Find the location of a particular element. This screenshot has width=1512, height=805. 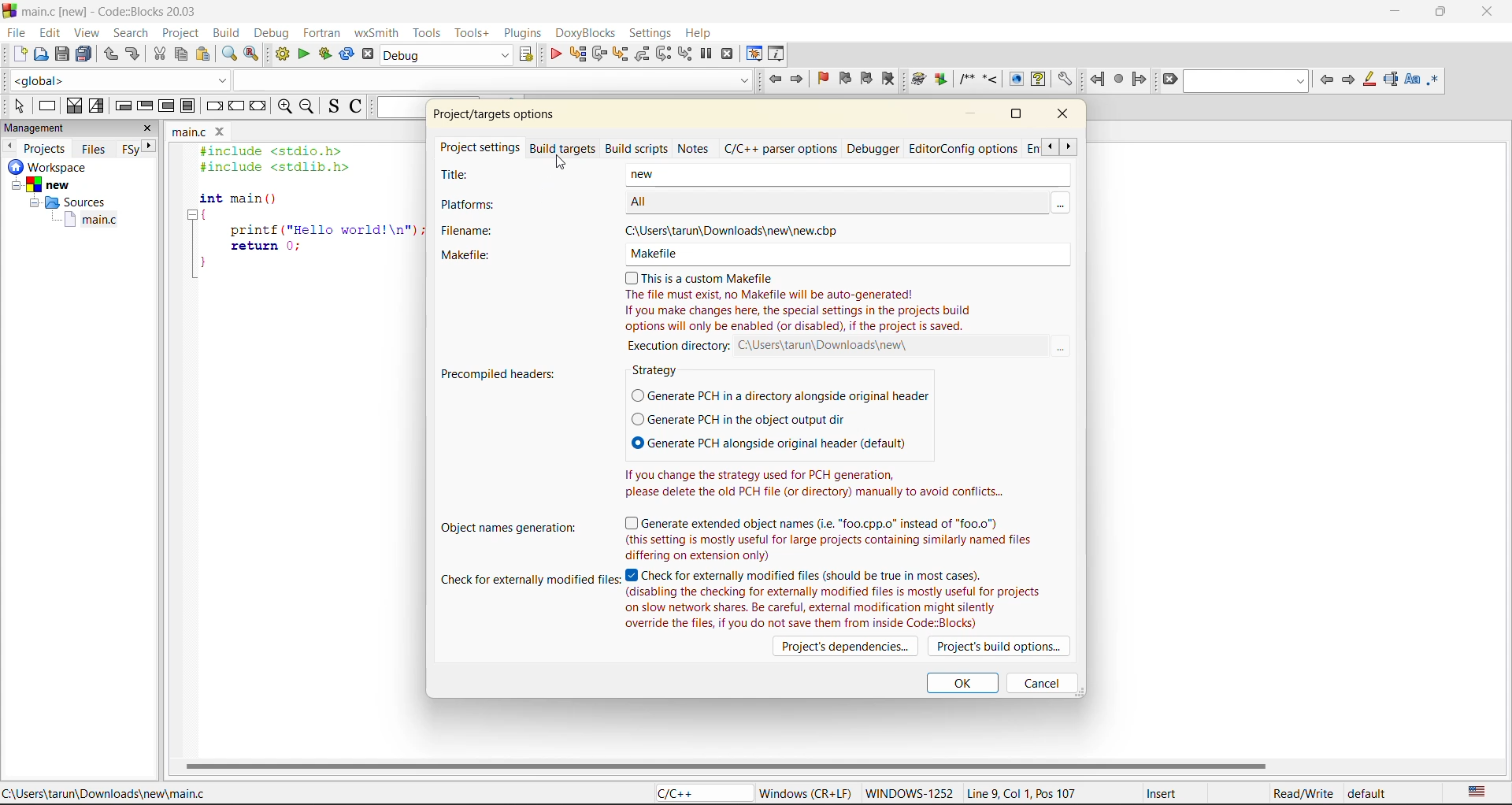

project is located at coordinates (182, 31).